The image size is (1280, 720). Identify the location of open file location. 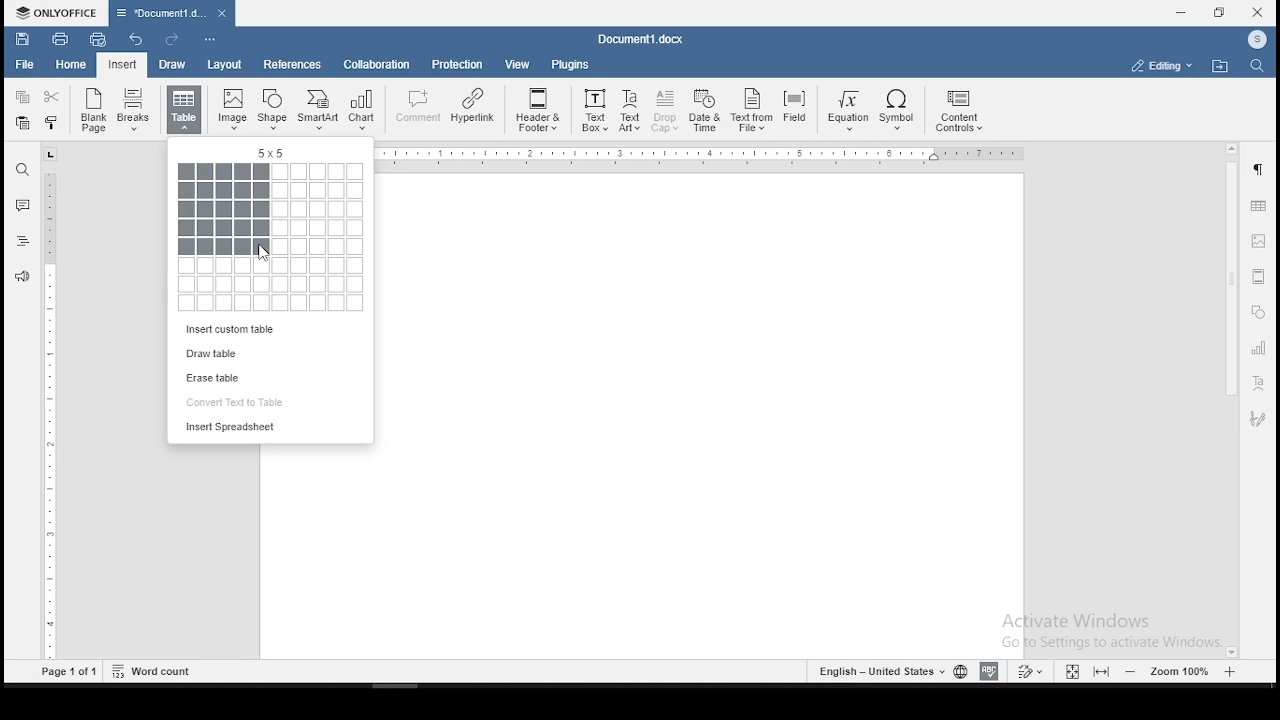
(1220, 66).